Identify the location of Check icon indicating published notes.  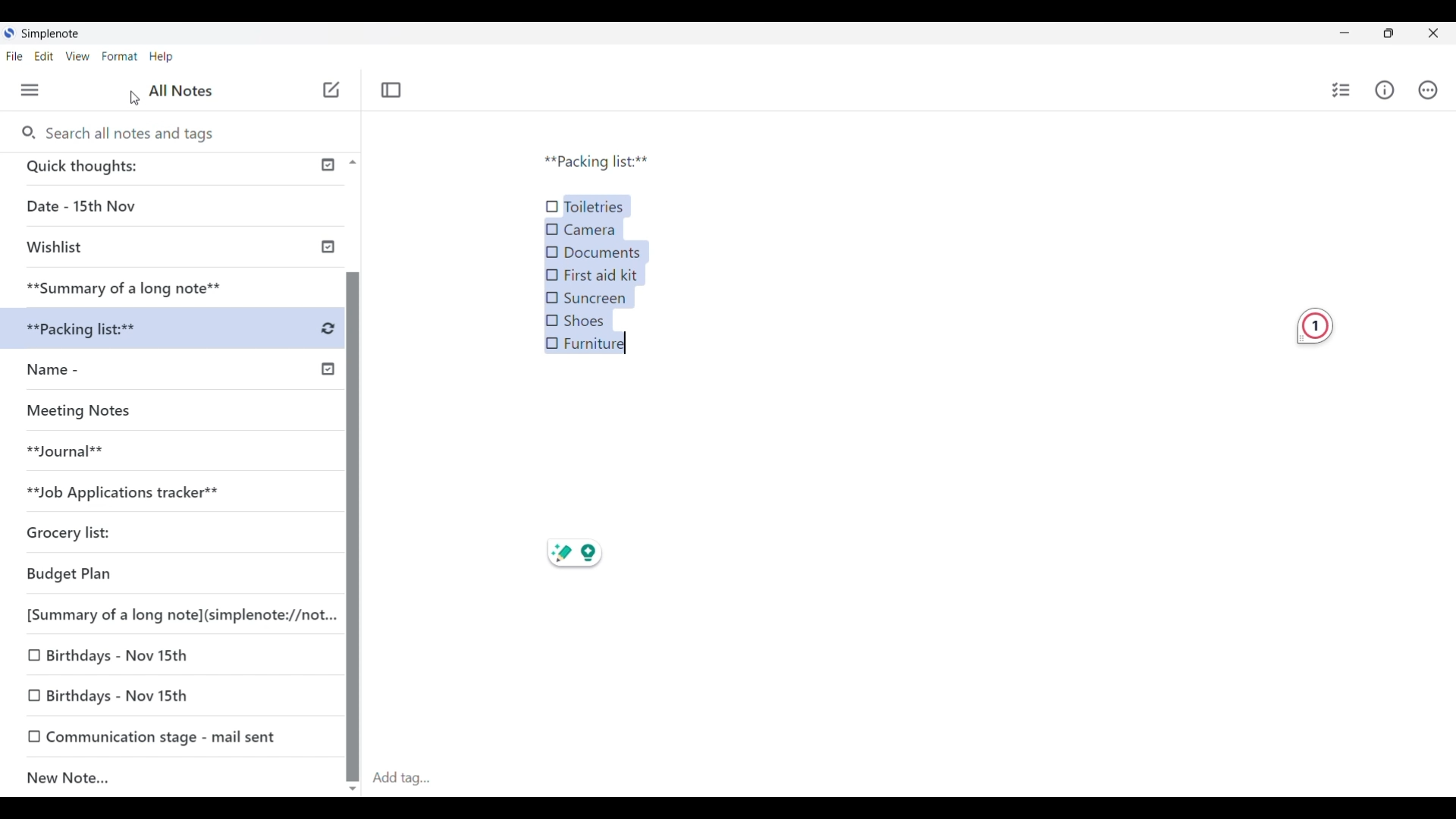
(328, 267).